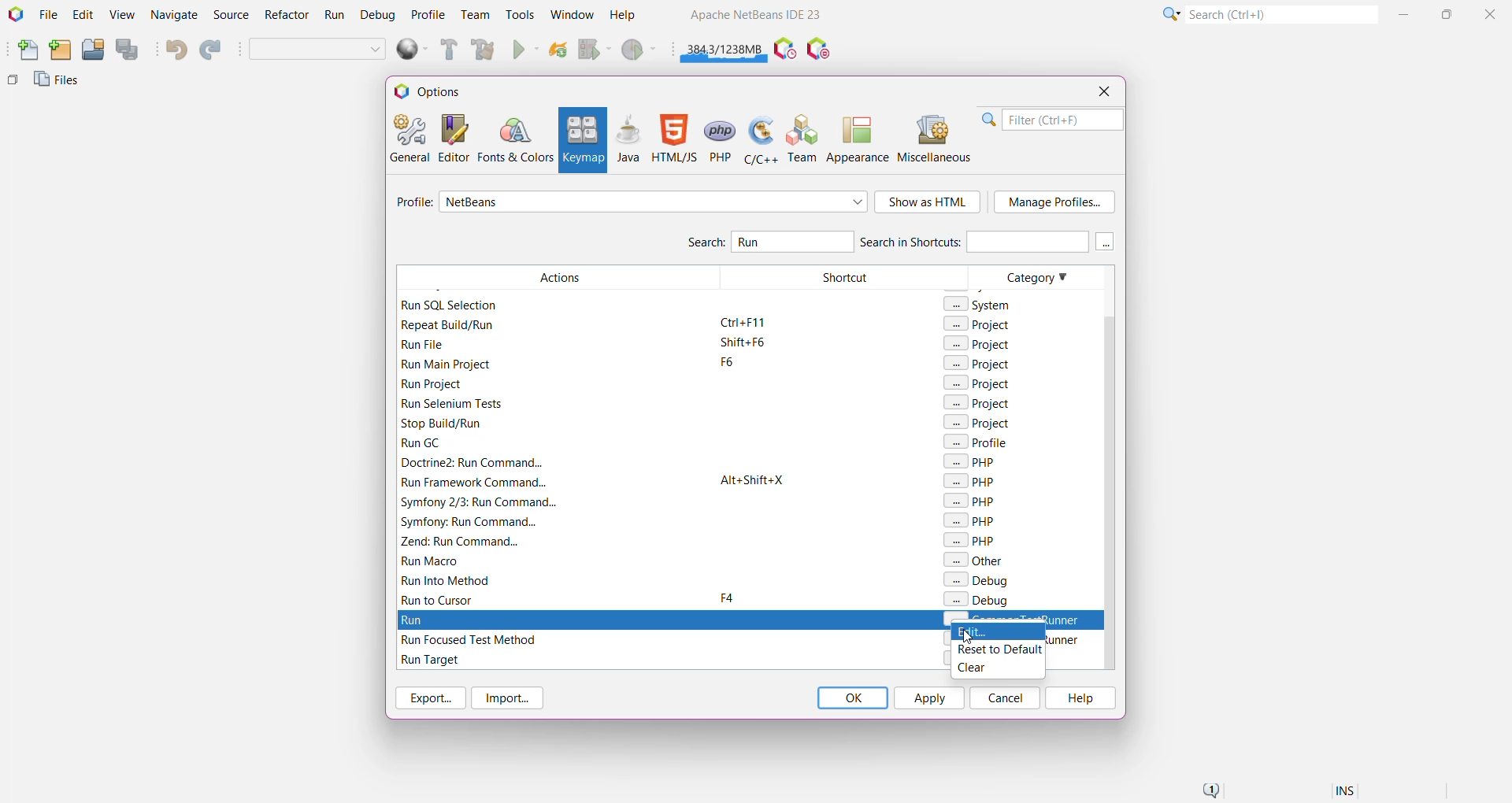 The width and height of the screenshot is (1512, 803). Describe the element at coordinates (408, 137) in the screenshot. I see `General` at that location.